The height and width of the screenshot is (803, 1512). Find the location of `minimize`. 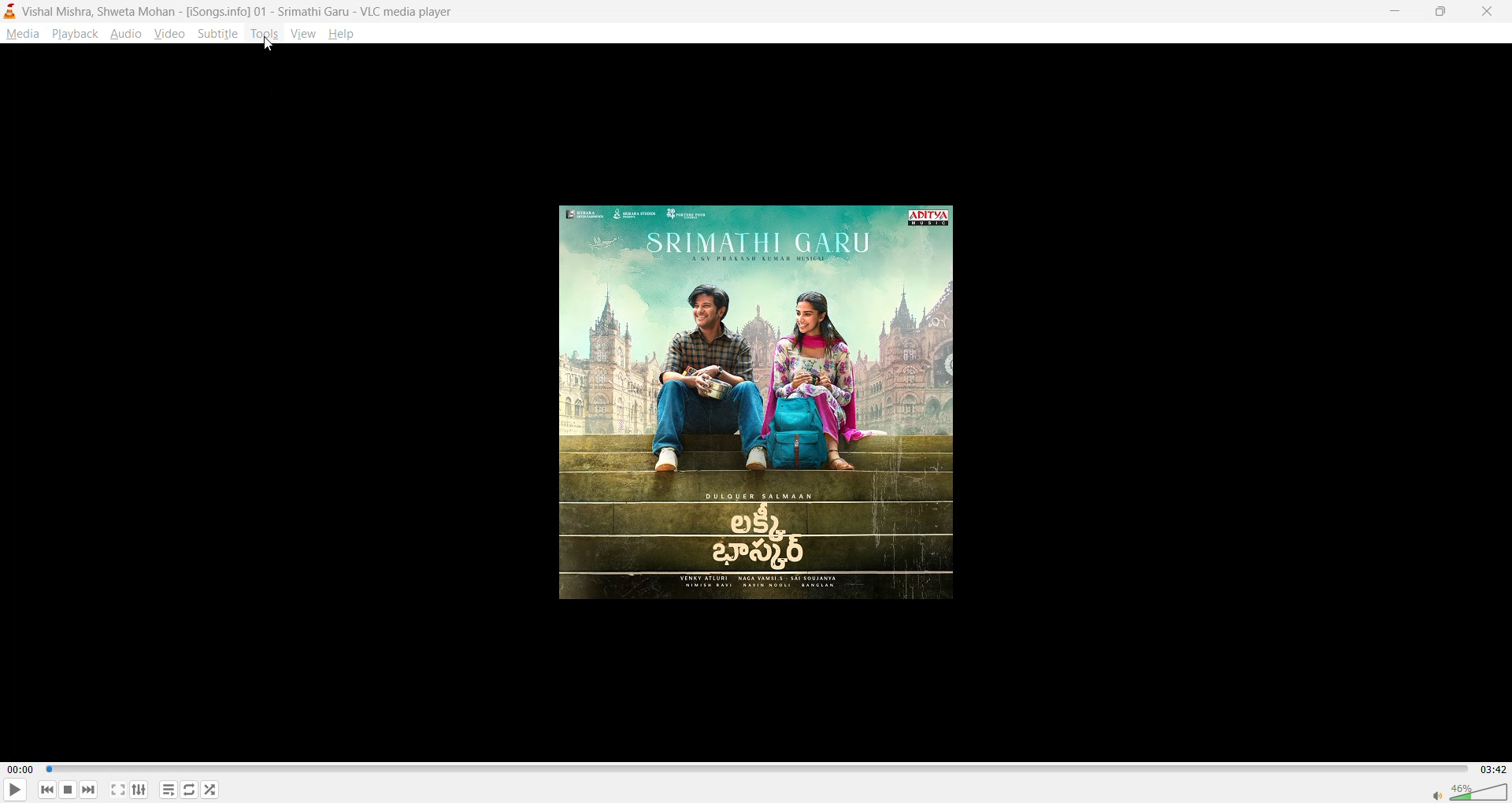

minimize is located at coordinates (1392, 9).